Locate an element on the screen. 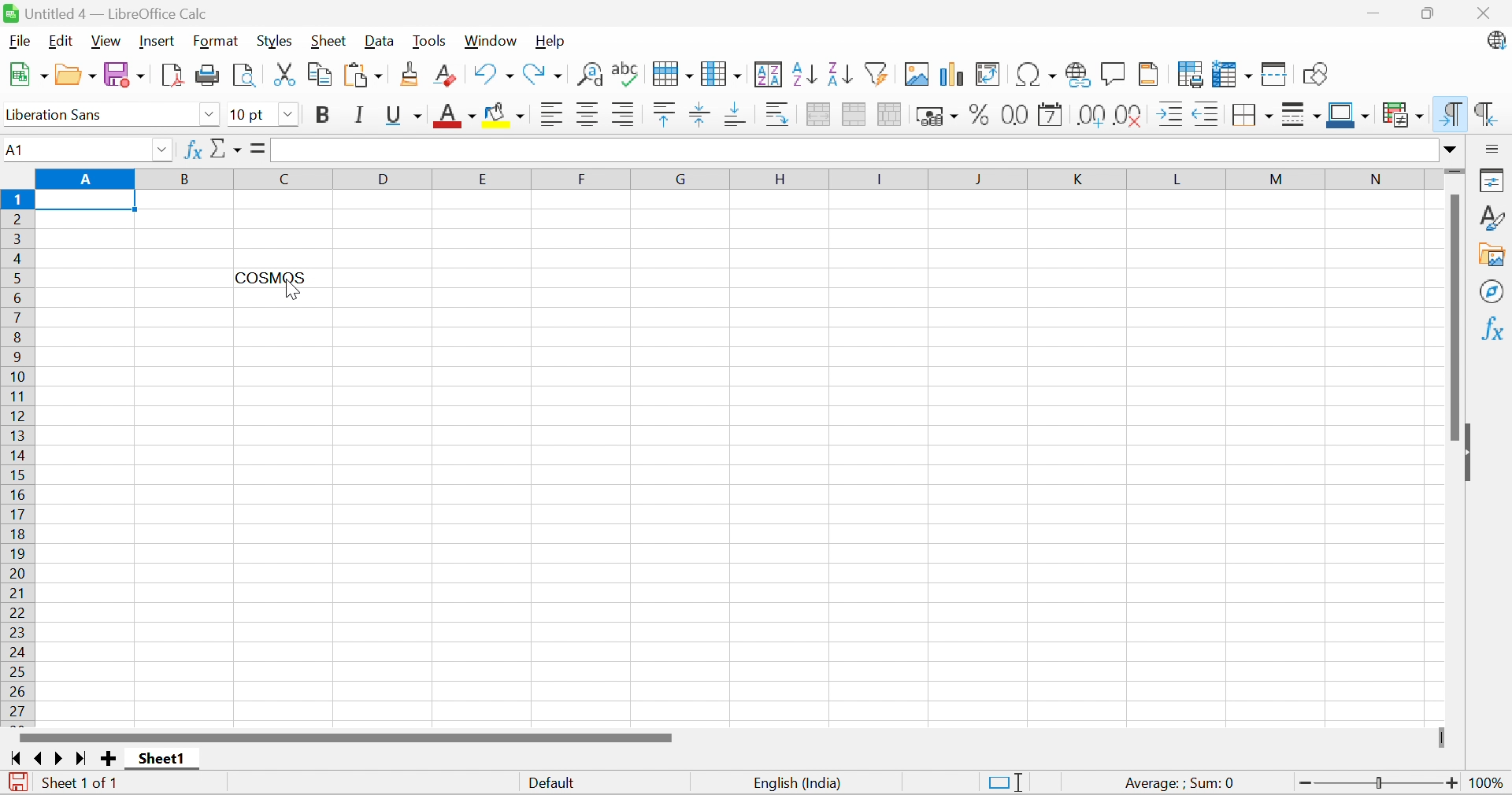 The width and height of the screenshot is (1512, 795). Paste is located at coordinates (366, 74).